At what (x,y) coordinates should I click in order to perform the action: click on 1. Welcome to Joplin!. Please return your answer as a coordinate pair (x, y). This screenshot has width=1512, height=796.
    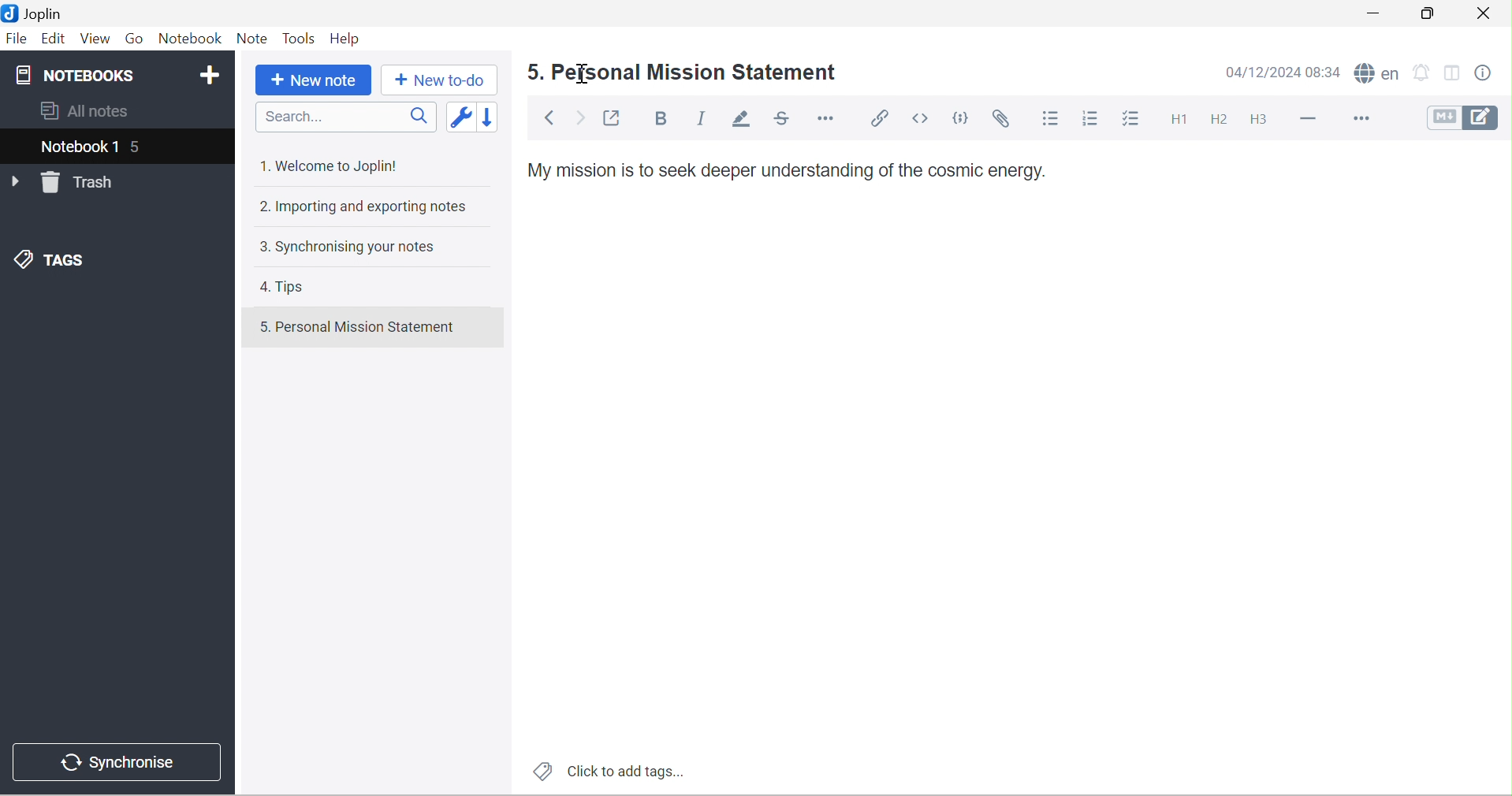
    Looking at the image, I should click on (335, 165).